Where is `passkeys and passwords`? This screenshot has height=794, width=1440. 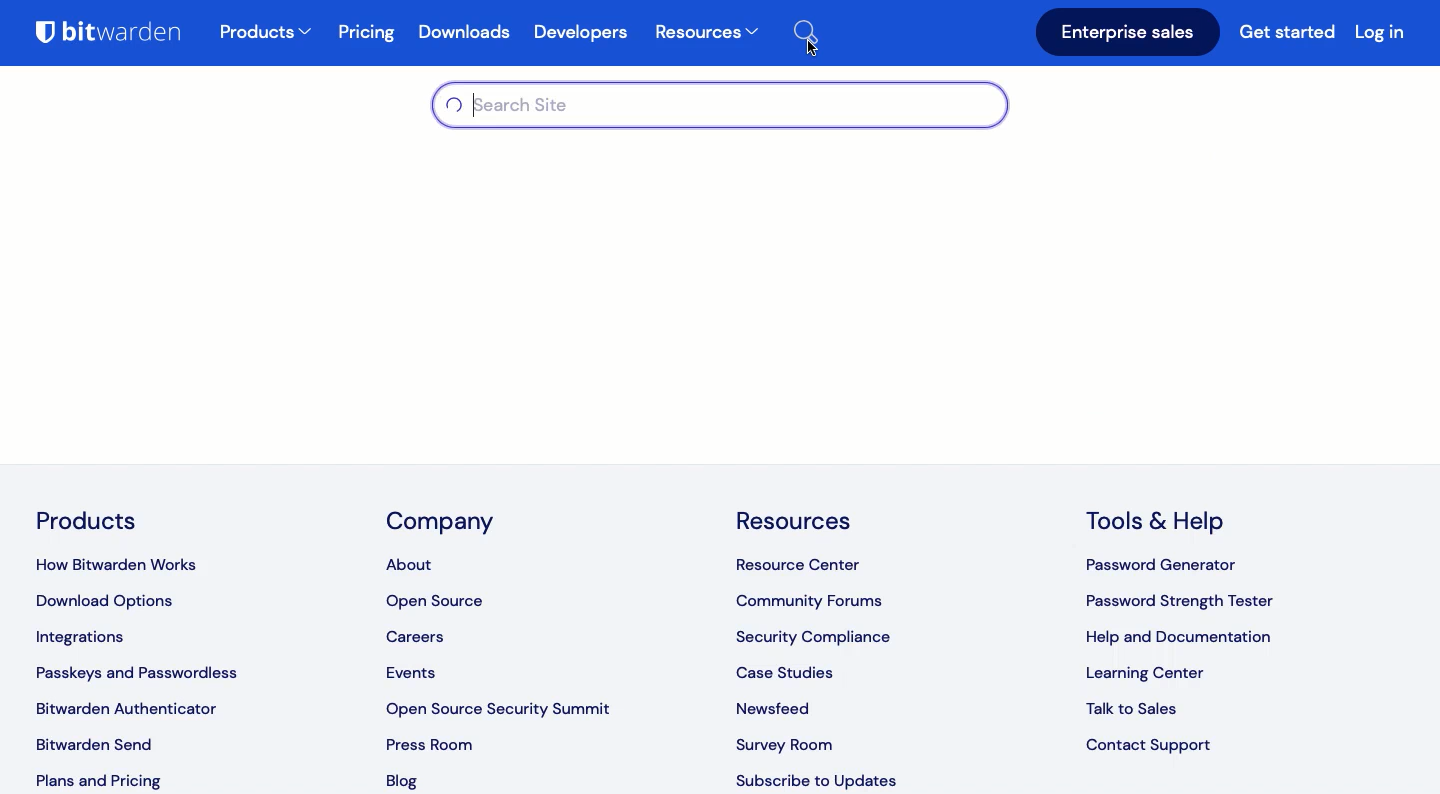
passkeys and passwords is located at coordinates (140, 673).